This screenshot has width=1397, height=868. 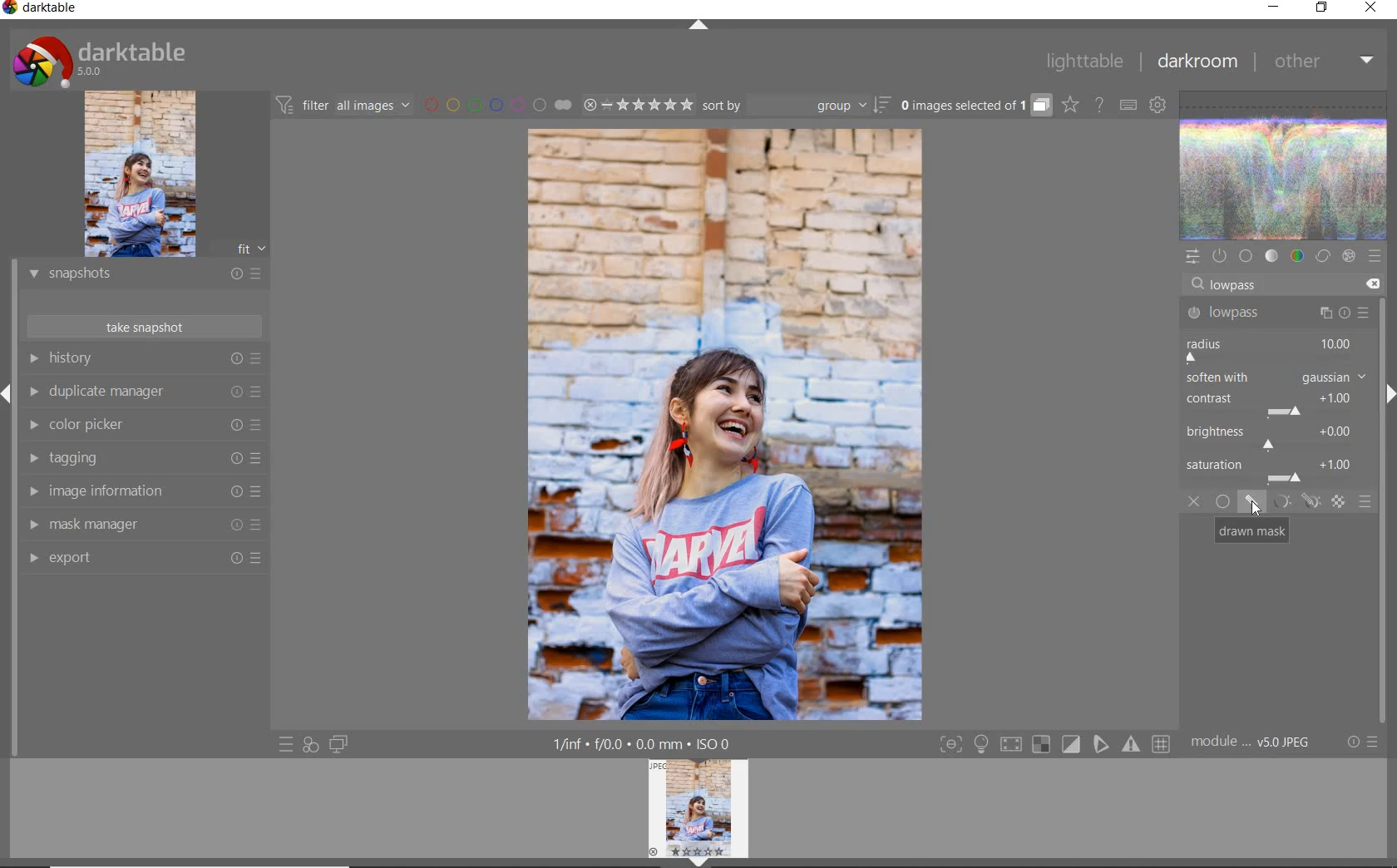 I want to click on Toggle modes, so click(x=1054, y=745).